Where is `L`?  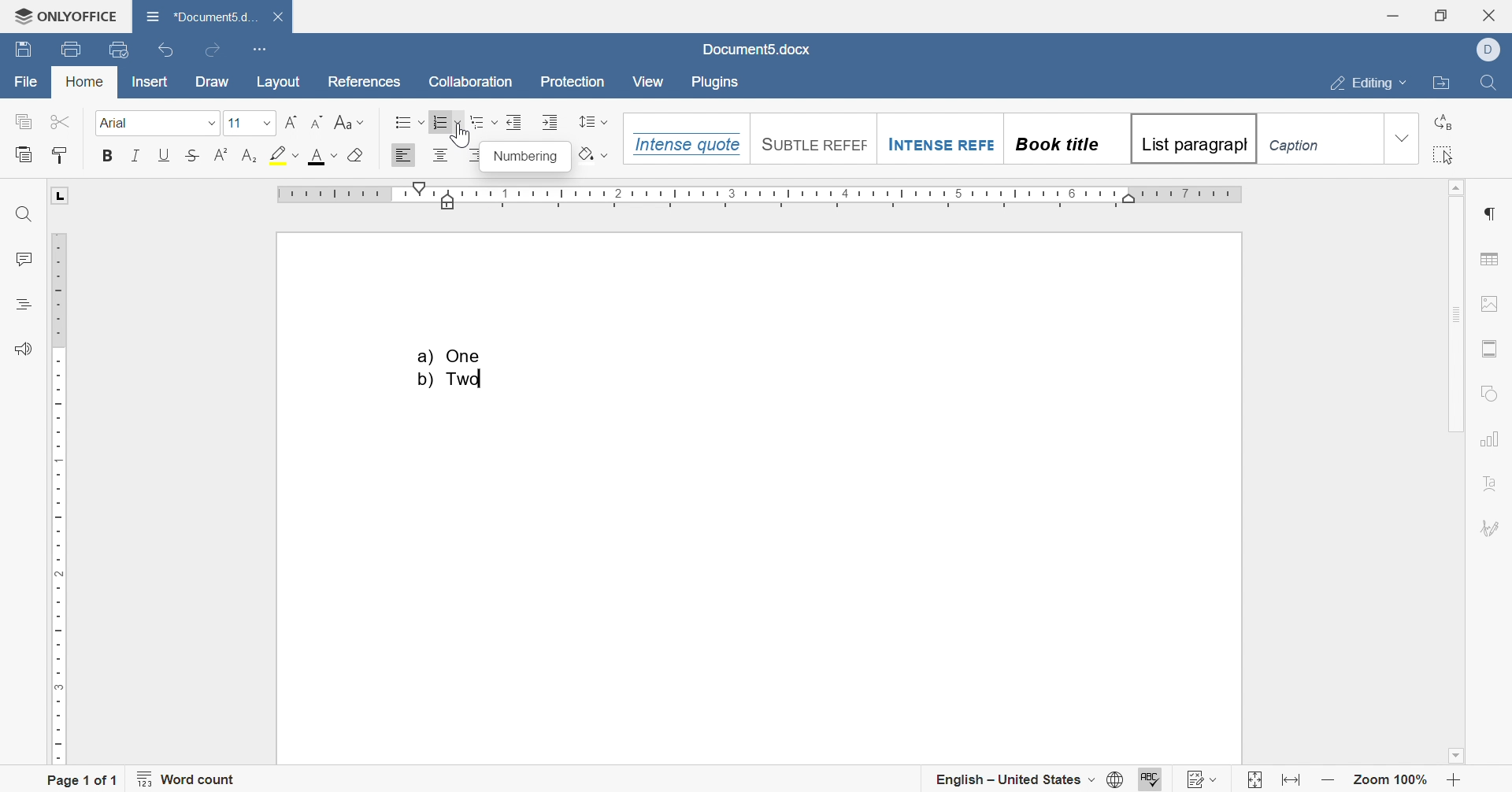
L is located at coordinates (62, 196).